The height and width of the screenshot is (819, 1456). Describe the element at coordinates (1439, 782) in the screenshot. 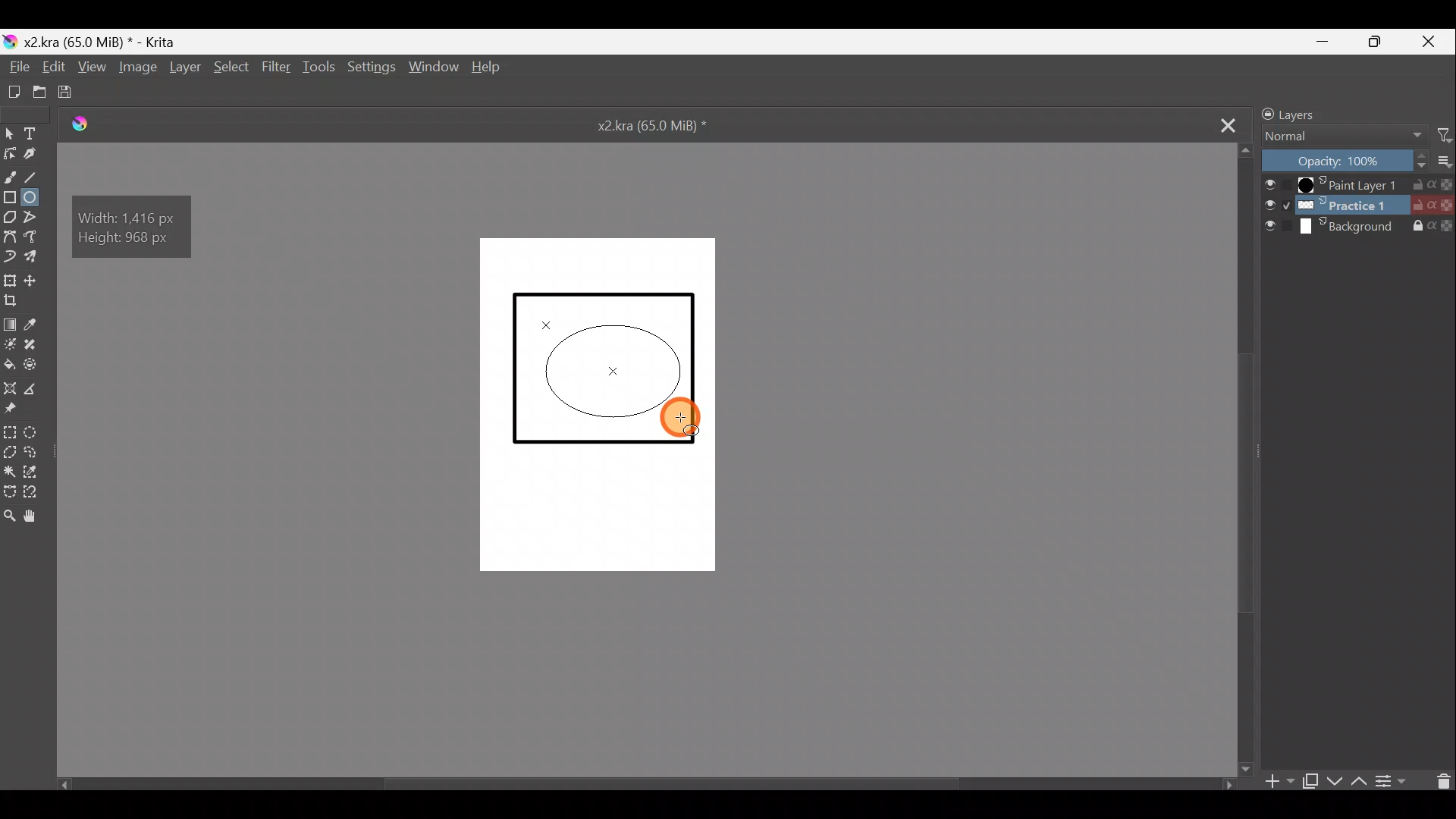

I see `Delete layer` at that location.